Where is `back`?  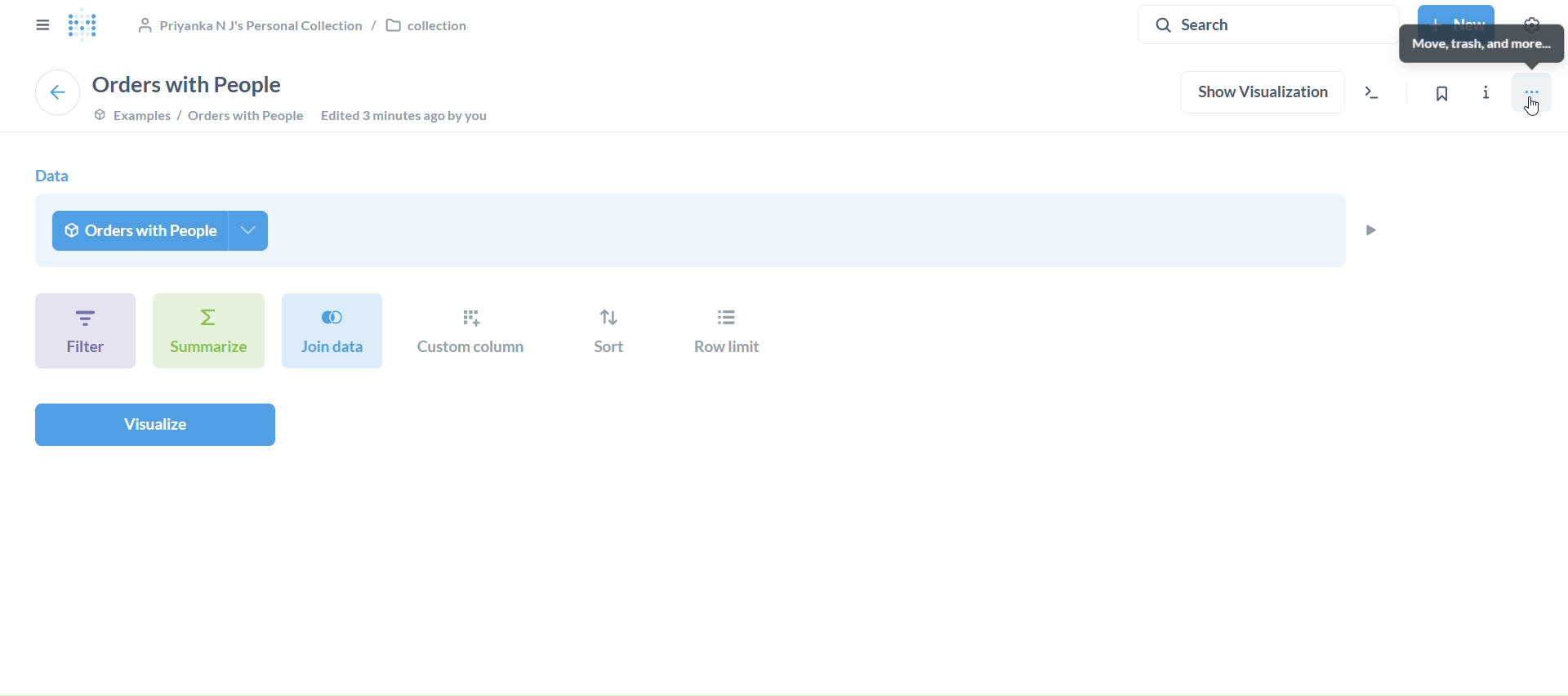
back is located at coordinates (56, 92).